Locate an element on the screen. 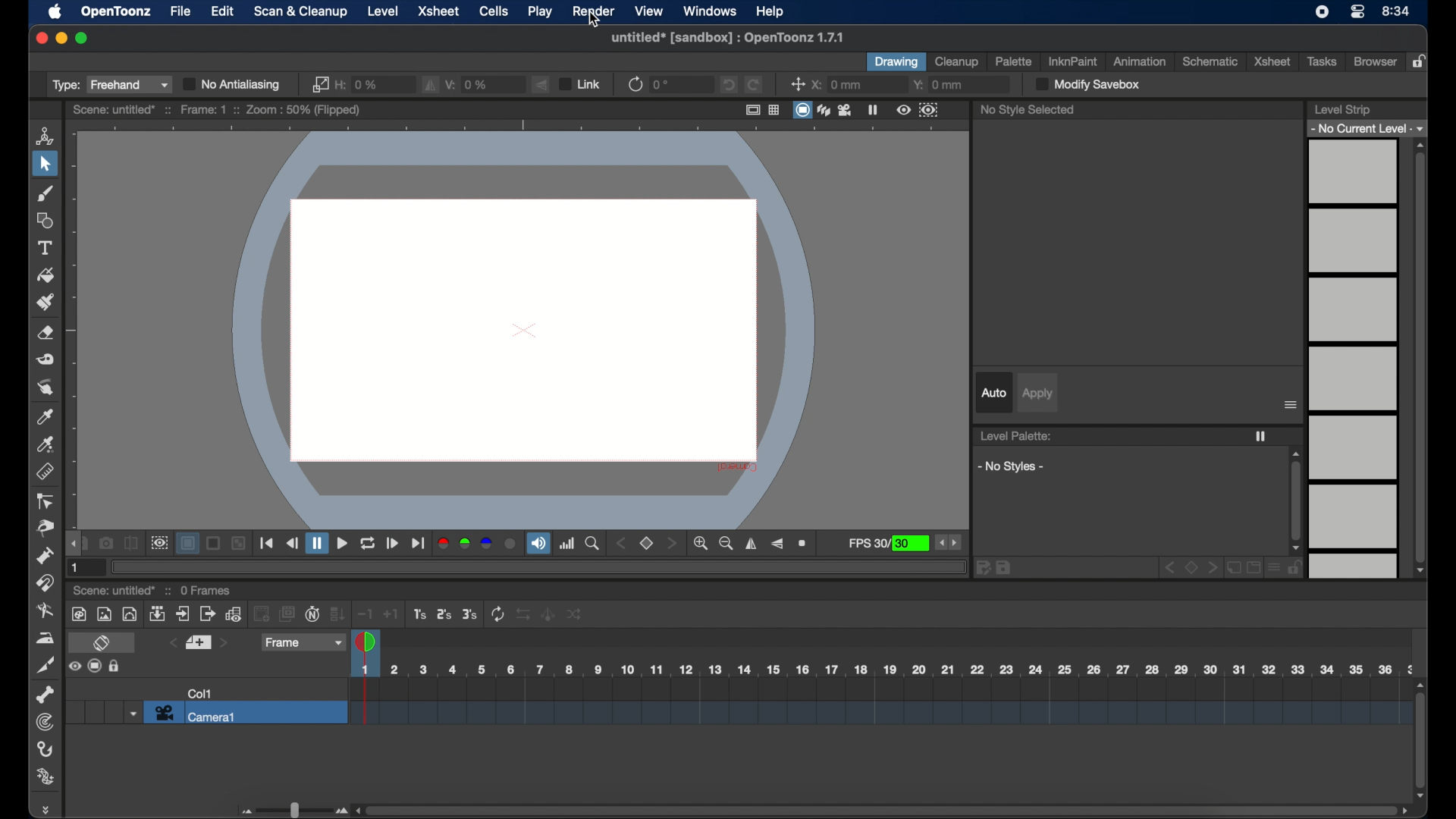 The height and width of the screenshot is (819, 1456).  is located at coordinates (368, 543).